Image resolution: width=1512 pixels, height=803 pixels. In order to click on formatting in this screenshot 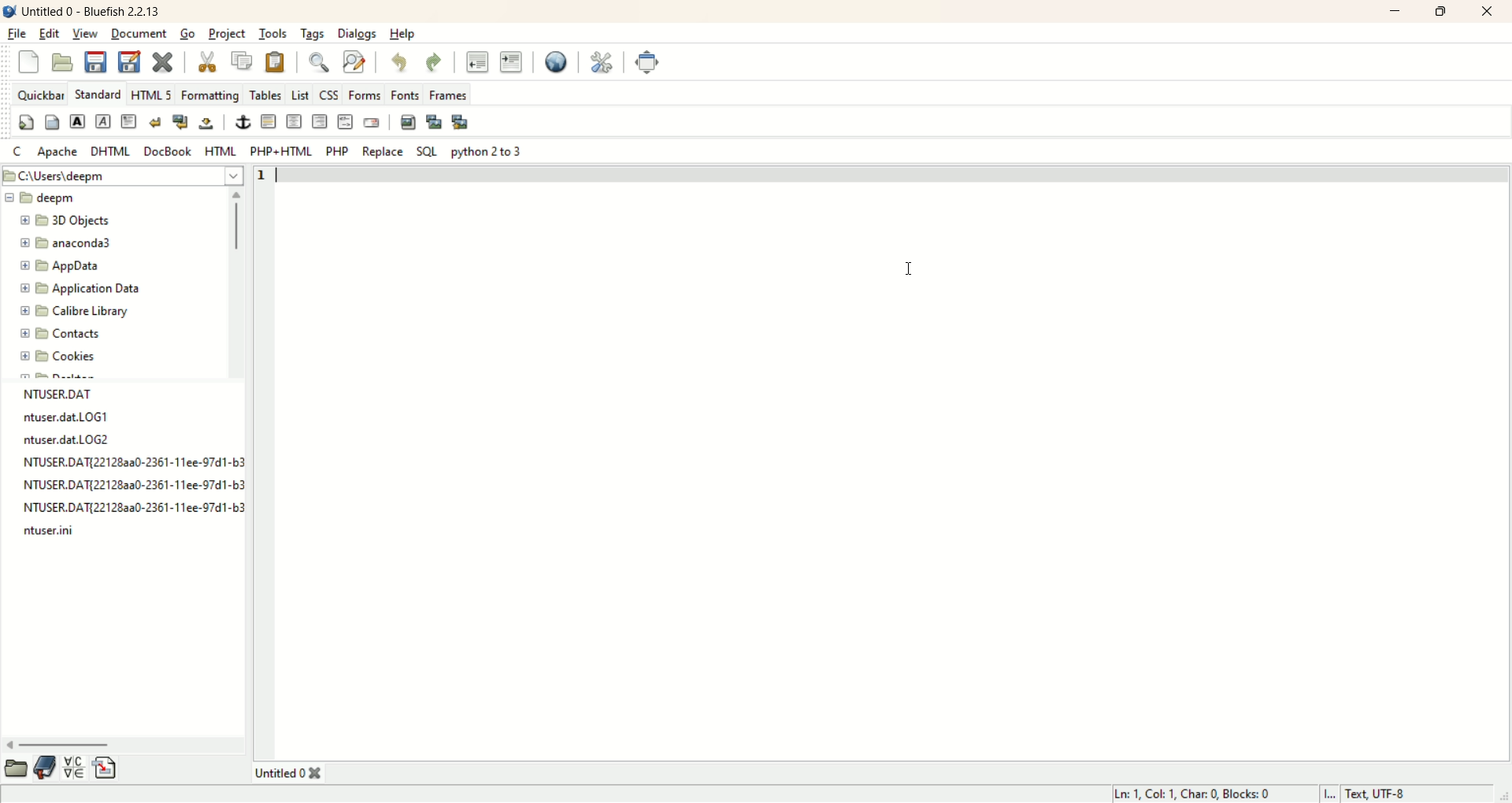, I will do `click(213, 97)`.